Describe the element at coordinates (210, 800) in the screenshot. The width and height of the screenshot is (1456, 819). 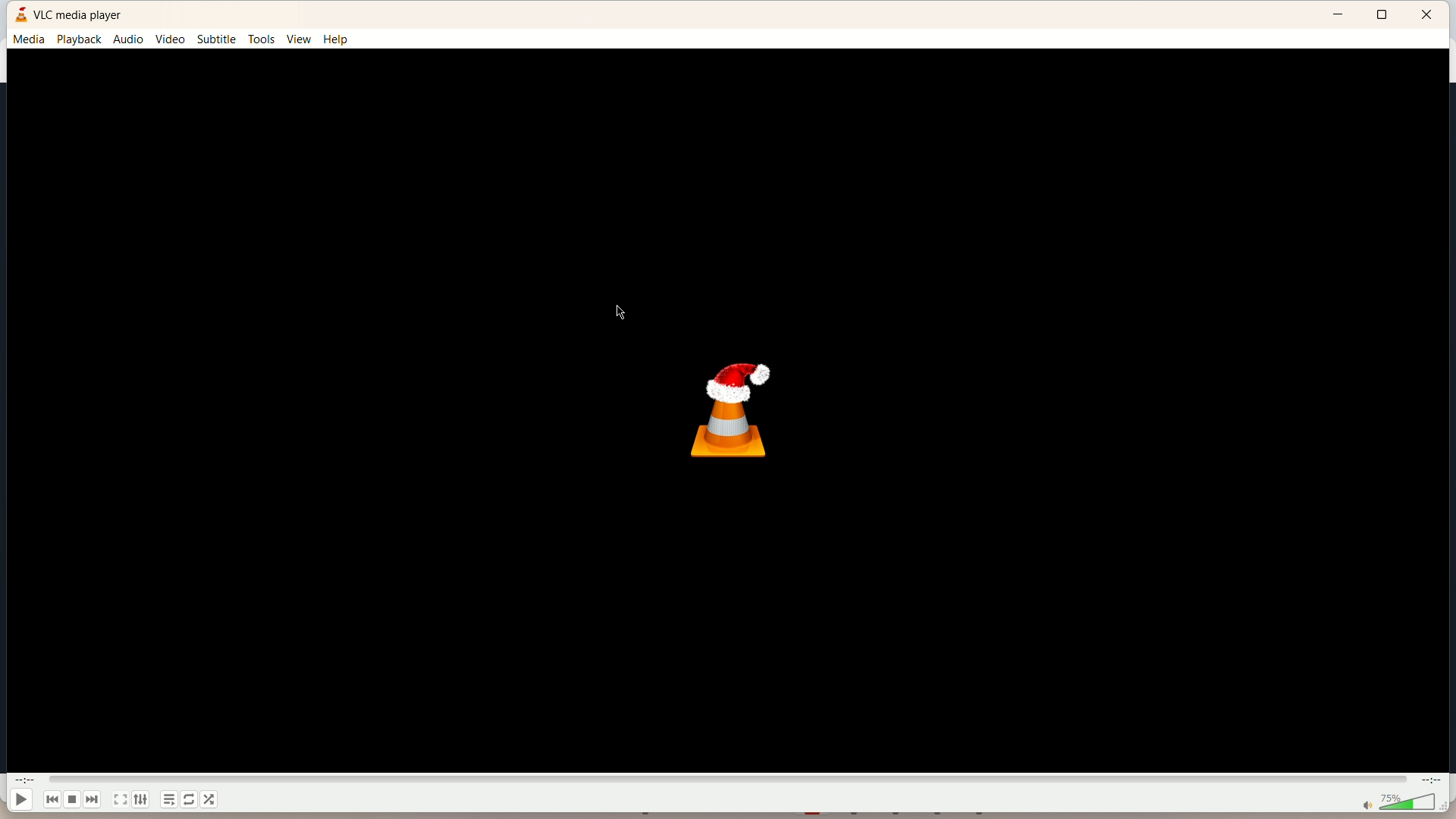
I see `shuffle` at that location.